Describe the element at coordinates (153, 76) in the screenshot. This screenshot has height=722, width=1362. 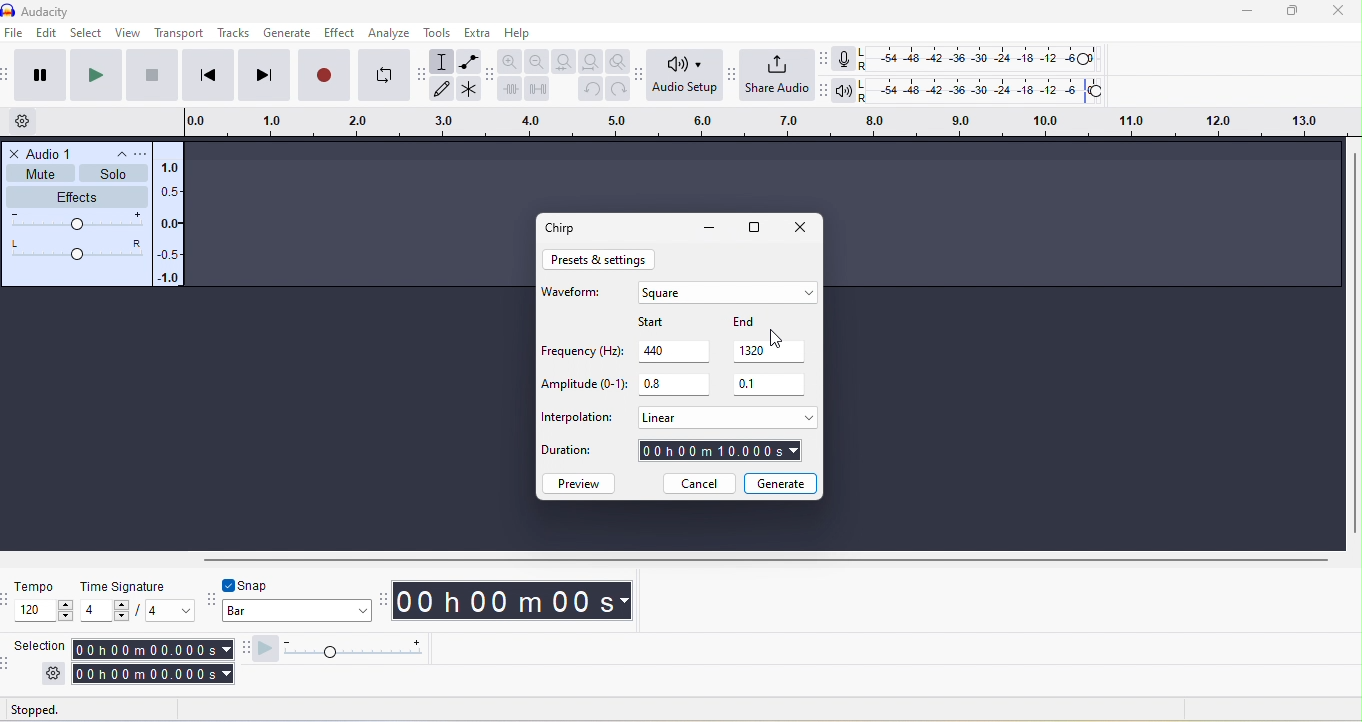
I see `stop` at that location.